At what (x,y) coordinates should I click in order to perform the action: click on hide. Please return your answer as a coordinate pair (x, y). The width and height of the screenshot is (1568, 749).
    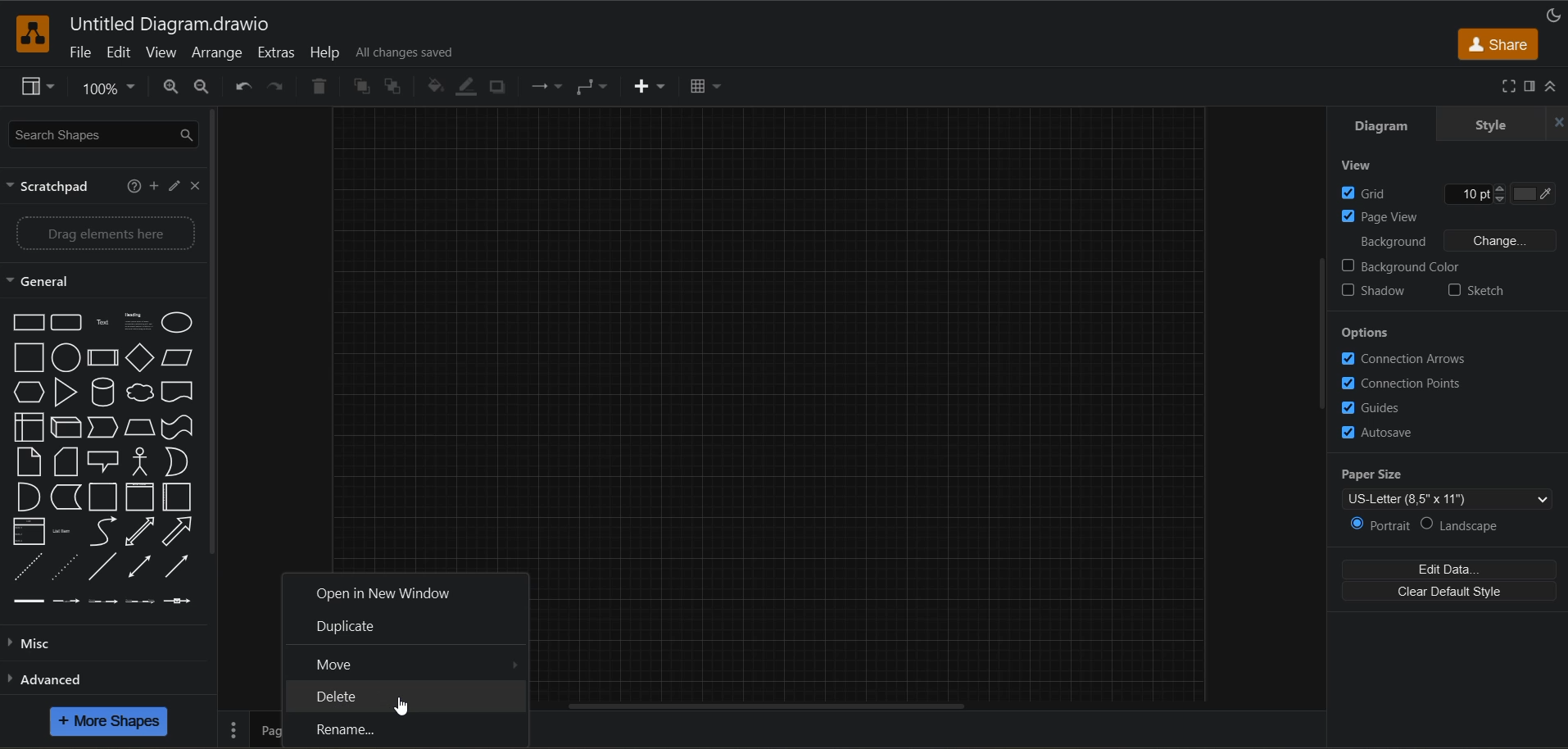
    Looking at the image, I should click on (1558, 121).